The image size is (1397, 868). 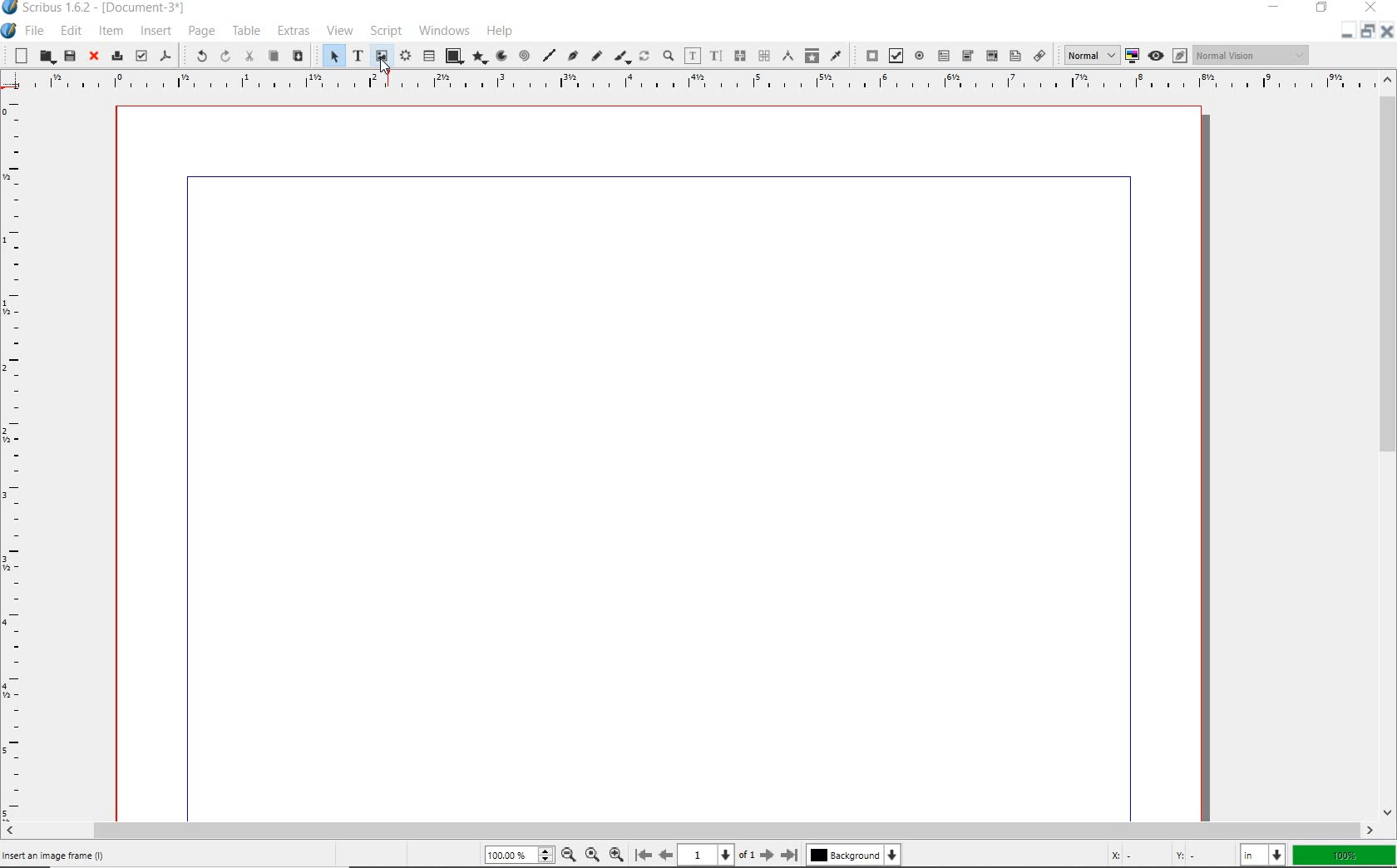 I want to click on pdf push button, so click(x=867, y=55).